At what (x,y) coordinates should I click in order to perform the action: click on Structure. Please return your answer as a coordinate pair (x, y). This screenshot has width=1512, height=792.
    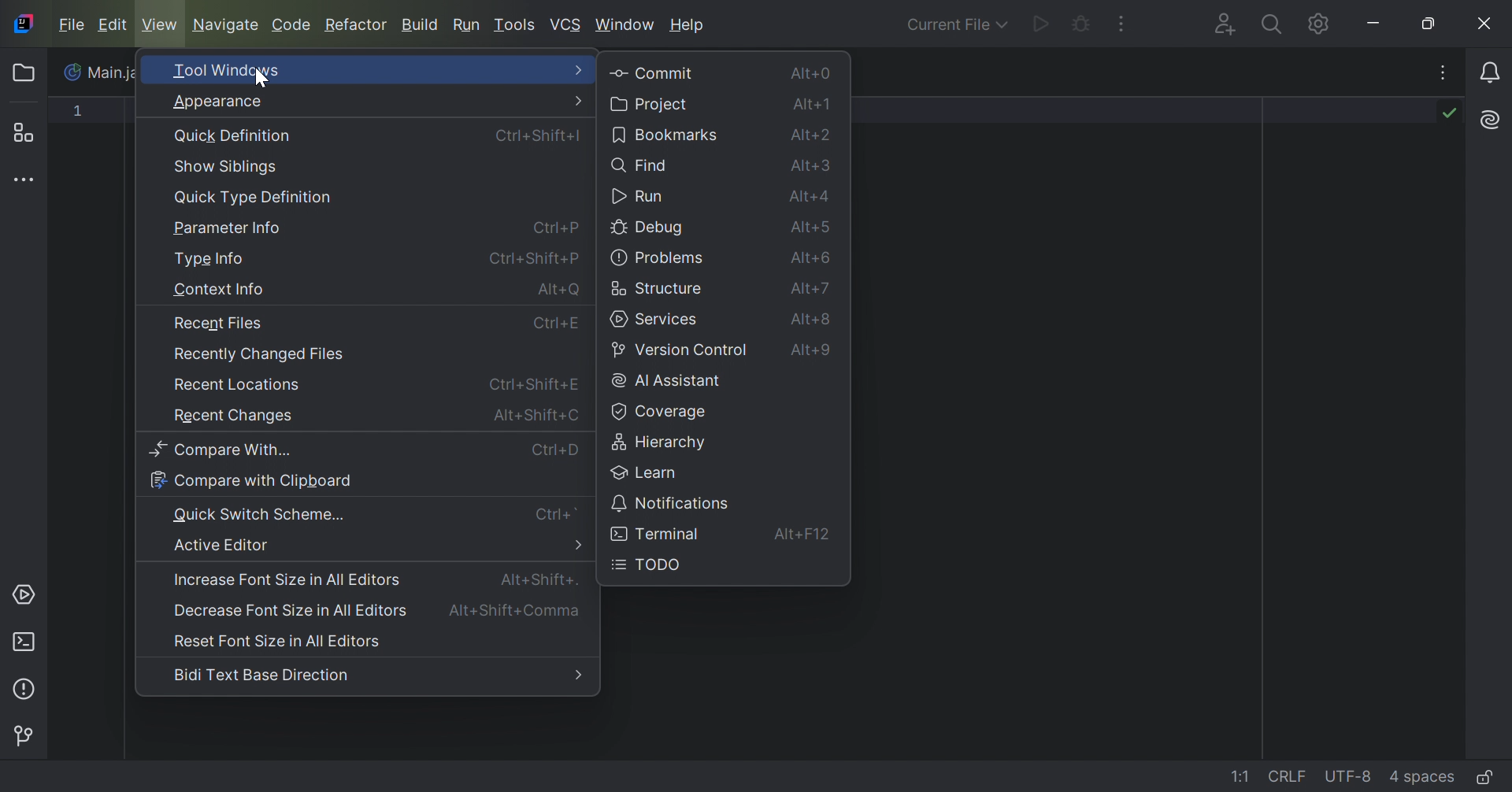
    Looking at the image, I should click on (29, 132).